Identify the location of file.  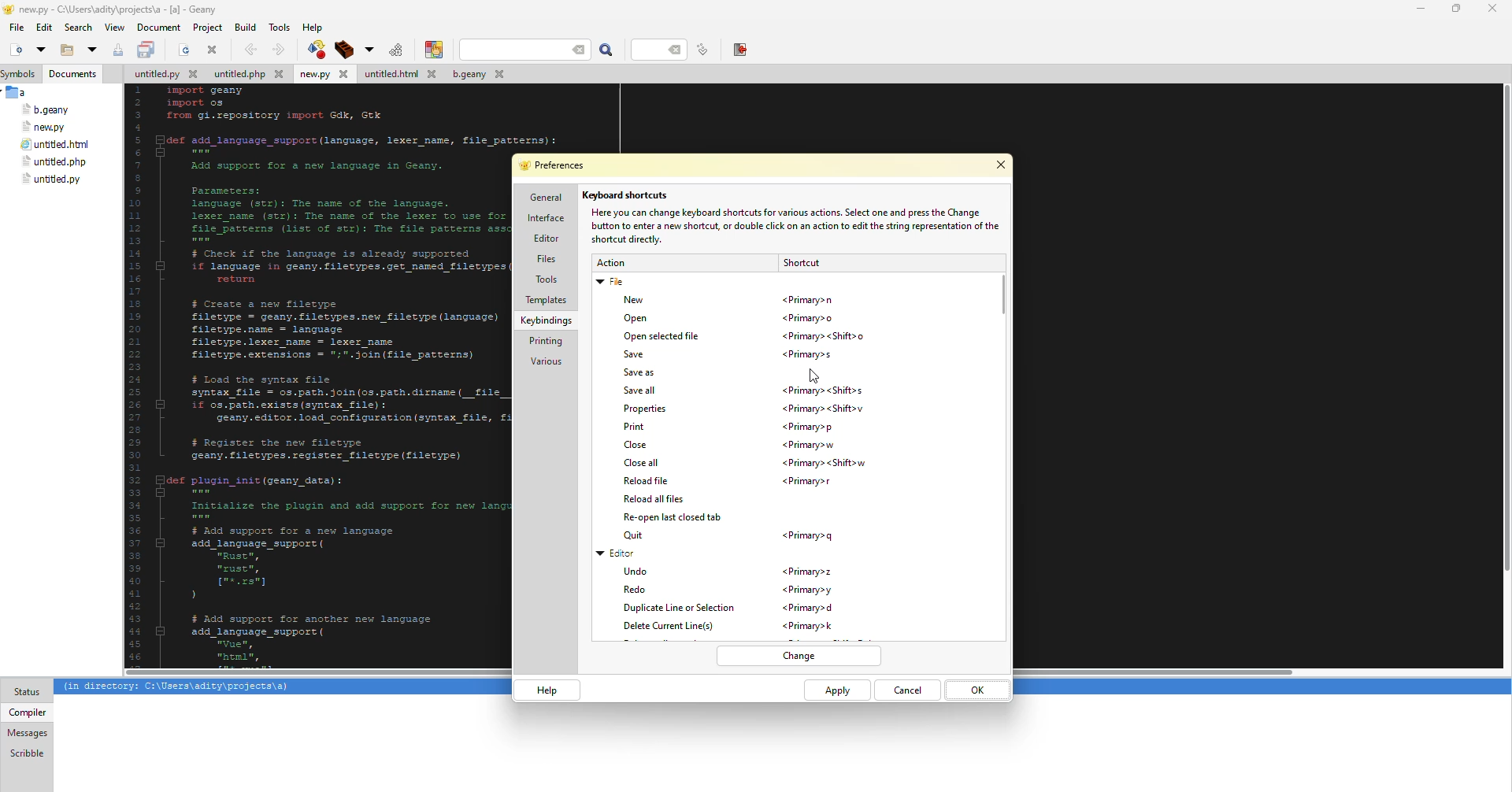
(45, 127).